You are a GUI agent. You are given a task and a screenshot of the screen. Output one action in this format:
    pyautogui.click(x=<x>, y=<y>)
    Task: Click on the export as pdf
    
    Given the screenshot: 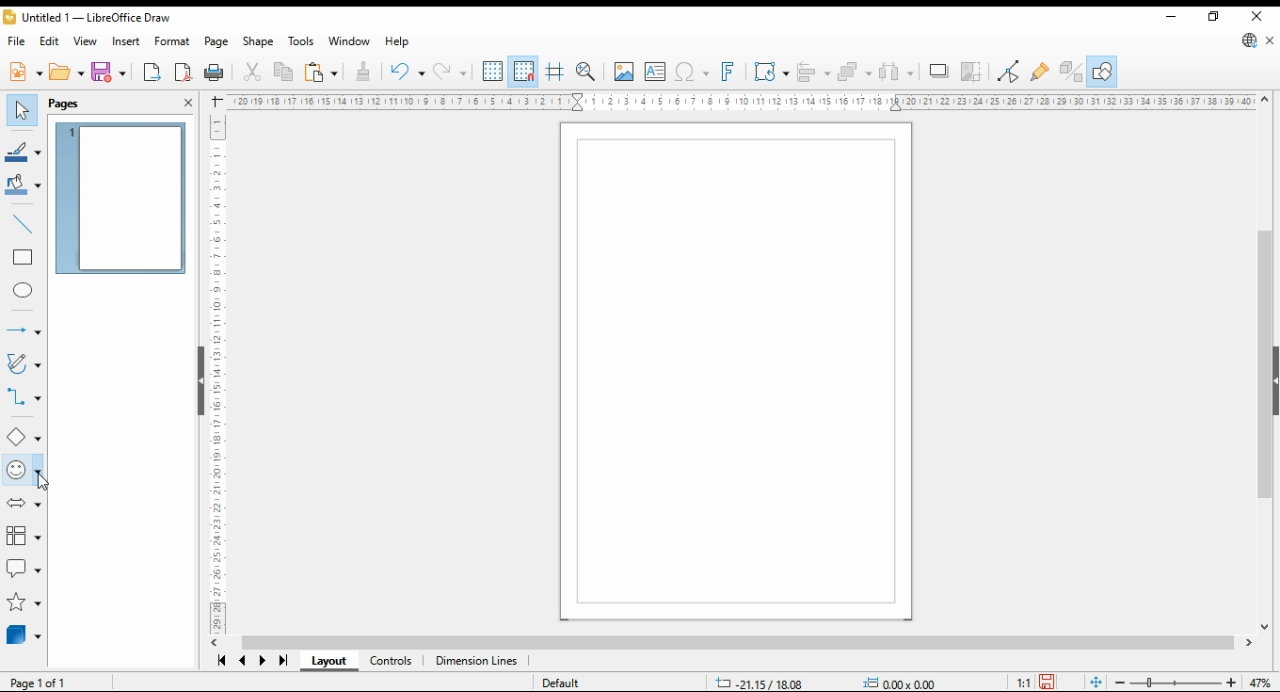 What is the action you would take?
    pyautogui.click(x=184, y=72)
    